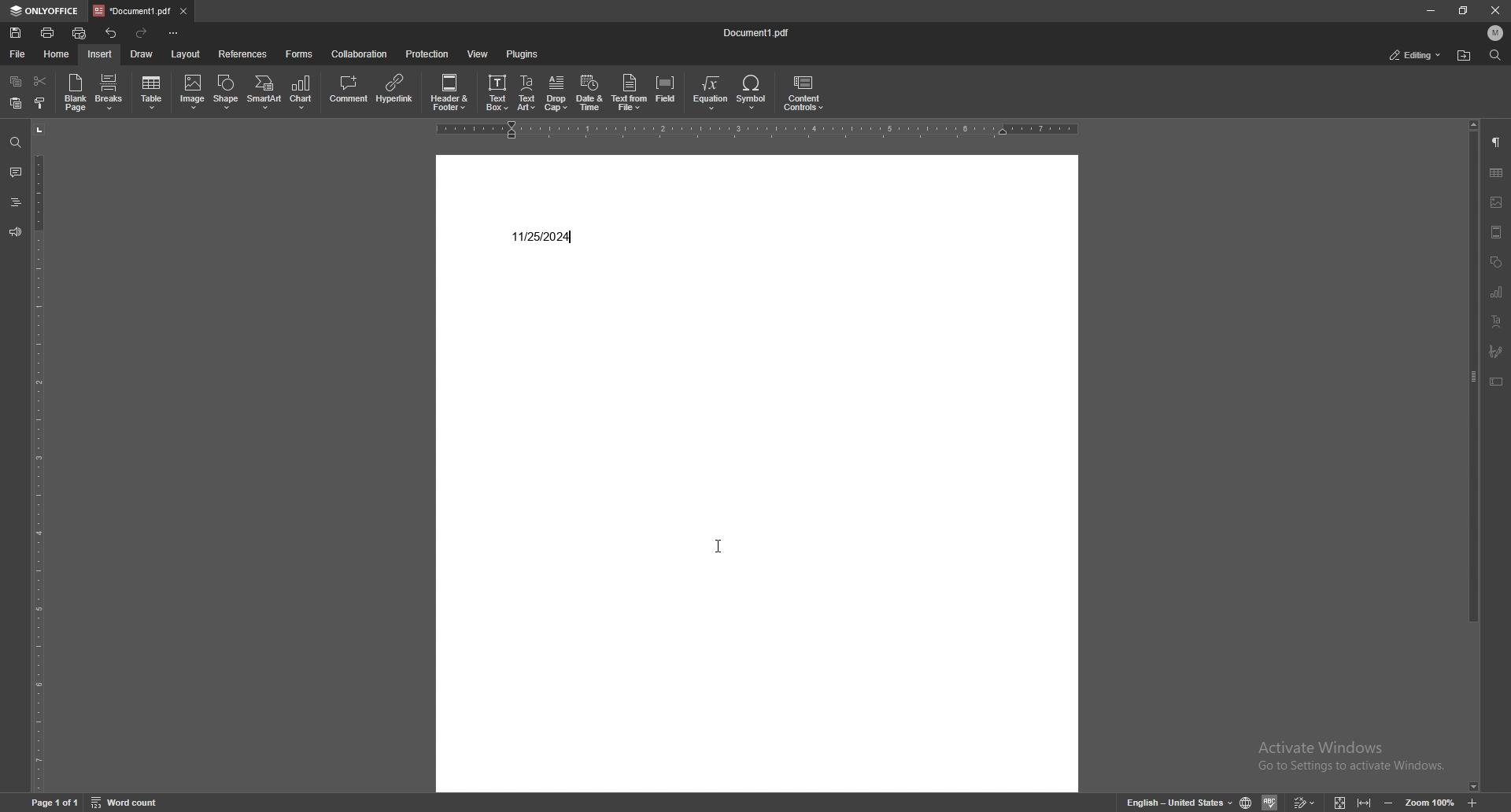 The image size is (1511, 812). I want to click on image, so click(1495, 201).